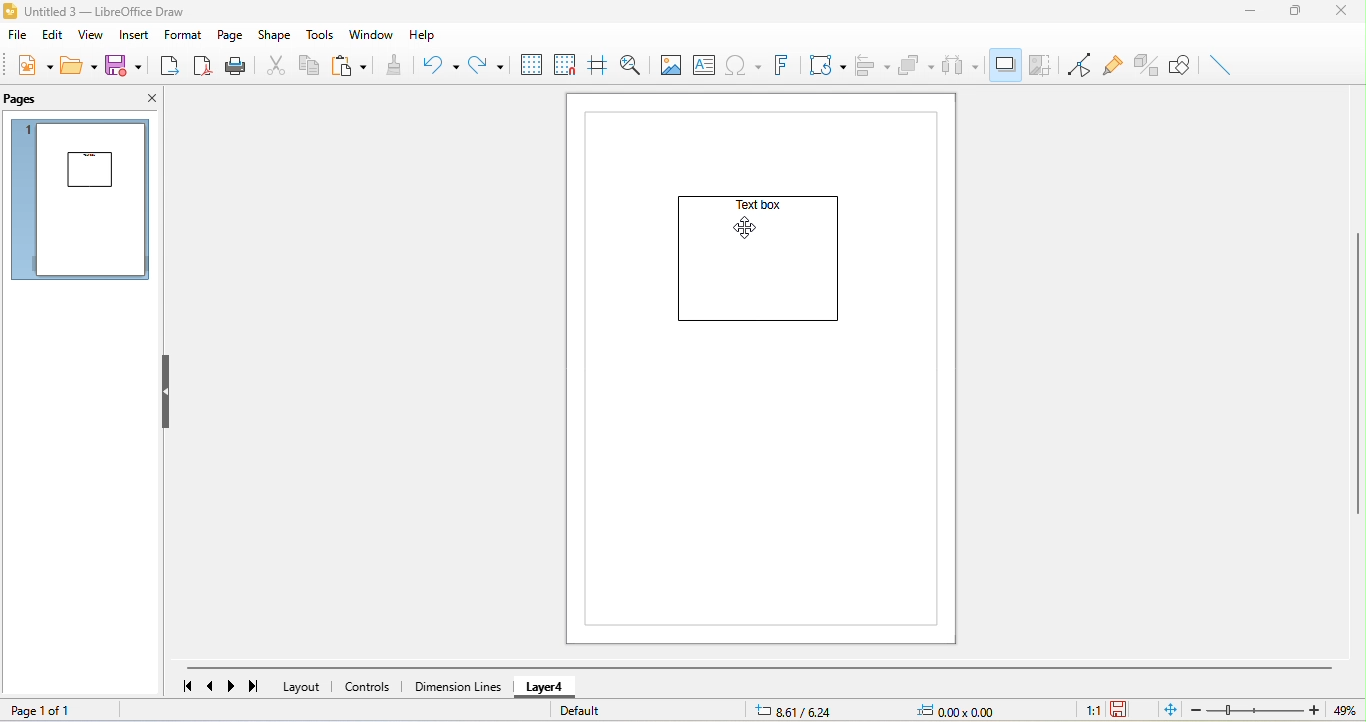 This screenshot has width=1366, height=722. I want to click on libre office draw logo, so click(11, 10).